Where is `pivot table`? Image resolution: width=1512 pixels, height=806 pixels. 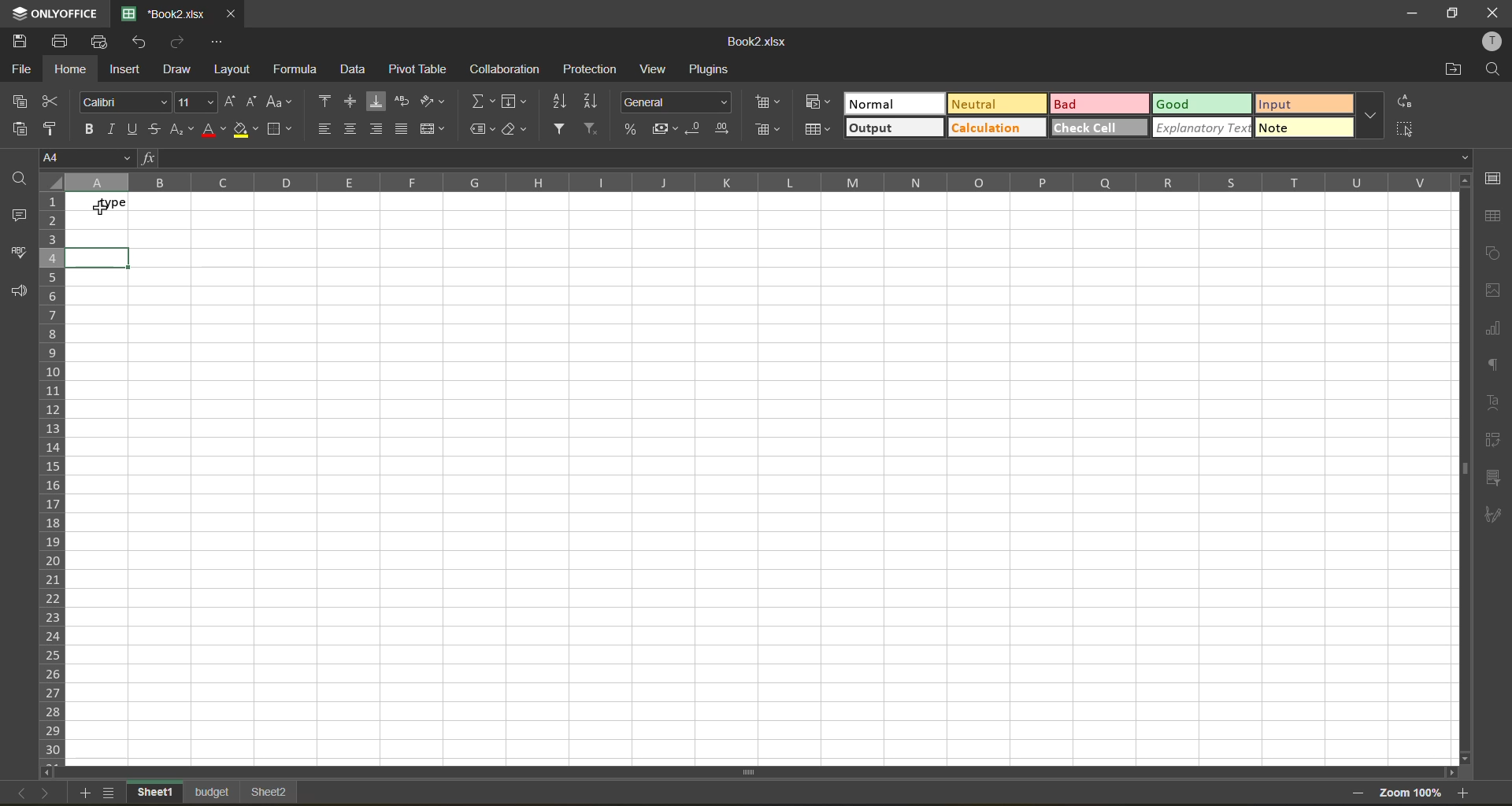
pivot table is located at coordinates (419, 70).